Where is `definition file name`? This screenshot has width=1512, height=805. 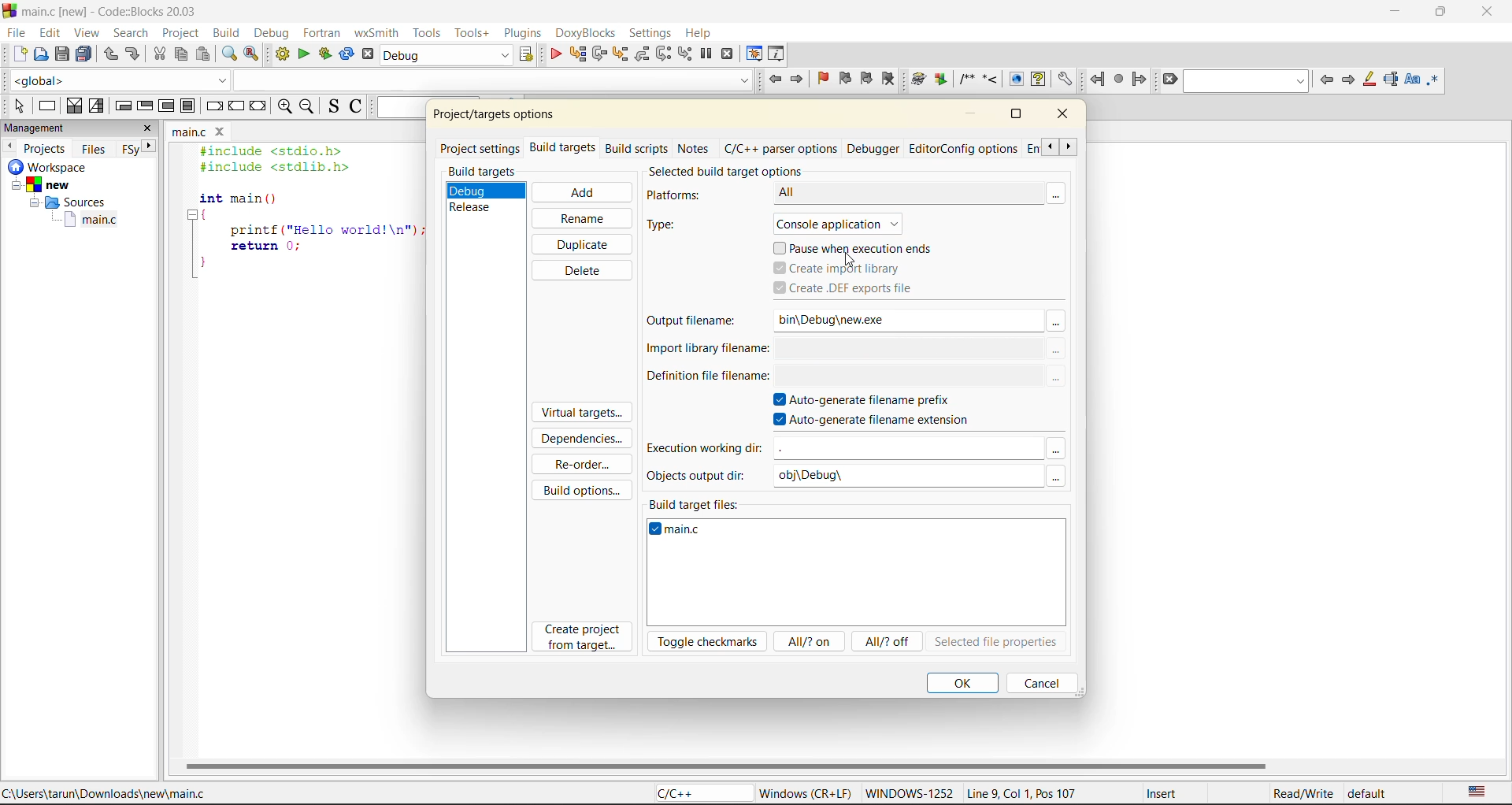
definition file name is located at coordinates (703, 380).